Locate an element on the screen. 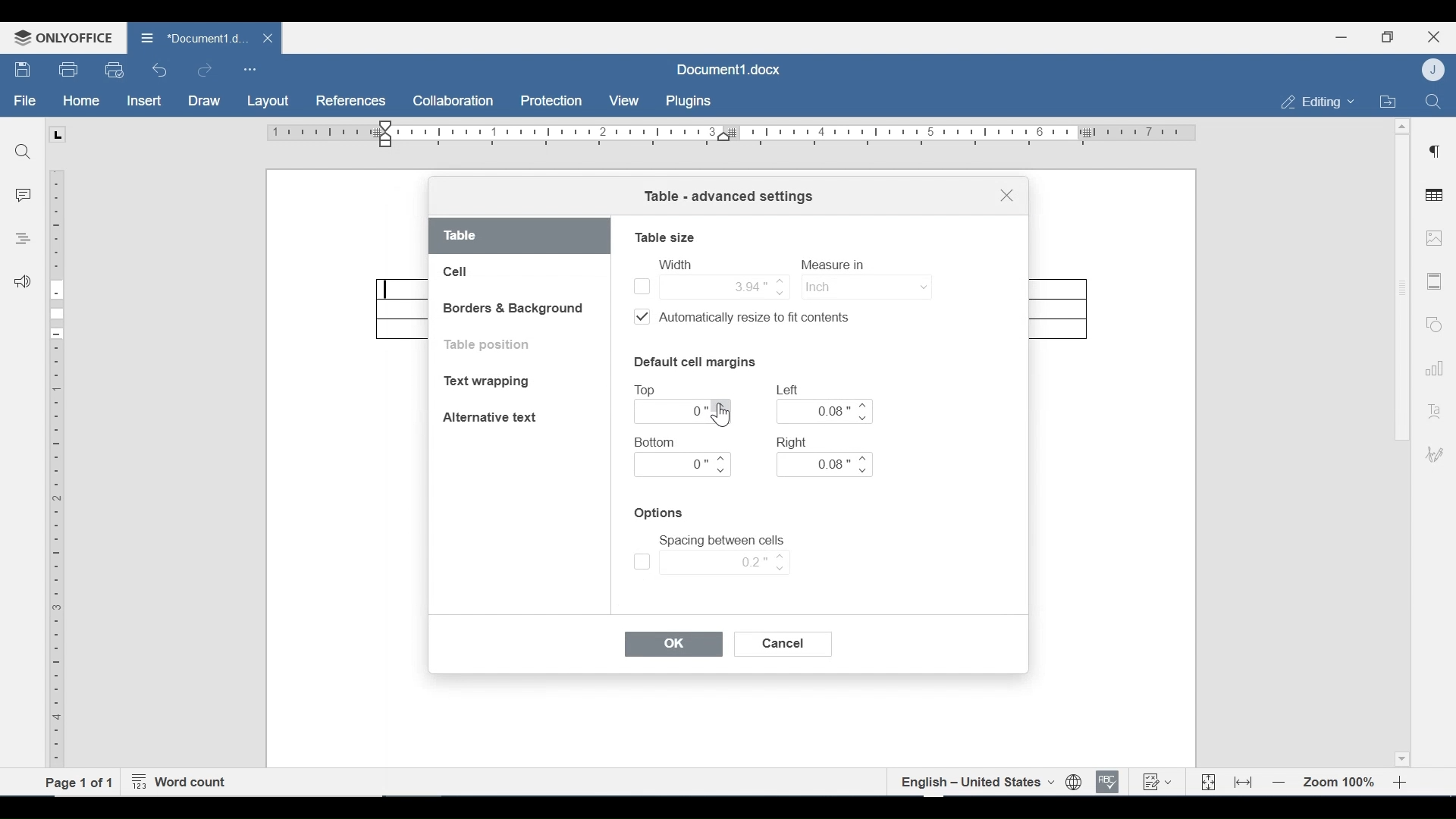 This screenshot has height=819, width=1456. *Document1.docx is located at coordinates (193, 36).